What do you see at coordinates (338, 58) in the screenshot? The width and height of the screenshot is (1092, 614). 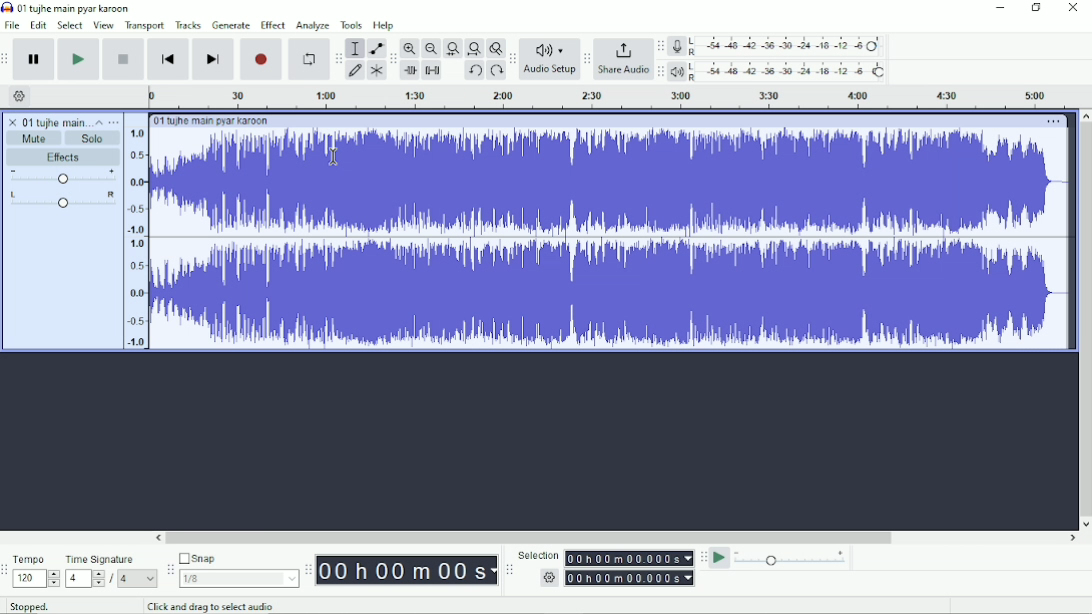 I see `Audacity tools toolbar` at bounding box center [338, 58].